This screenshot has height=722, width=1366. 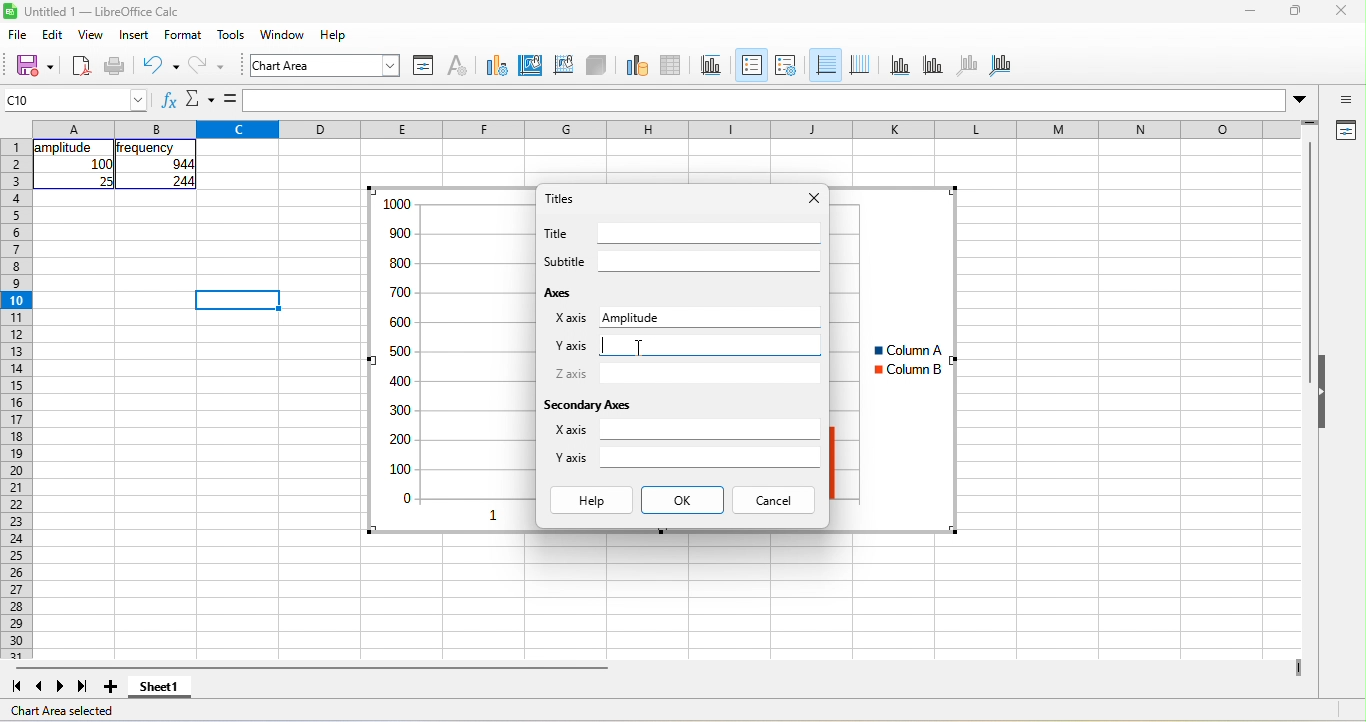 What do you see at coordinates (312, 668) in the screenshot?
I see `horizontal scroll bar` at bounding box center [312, 668].